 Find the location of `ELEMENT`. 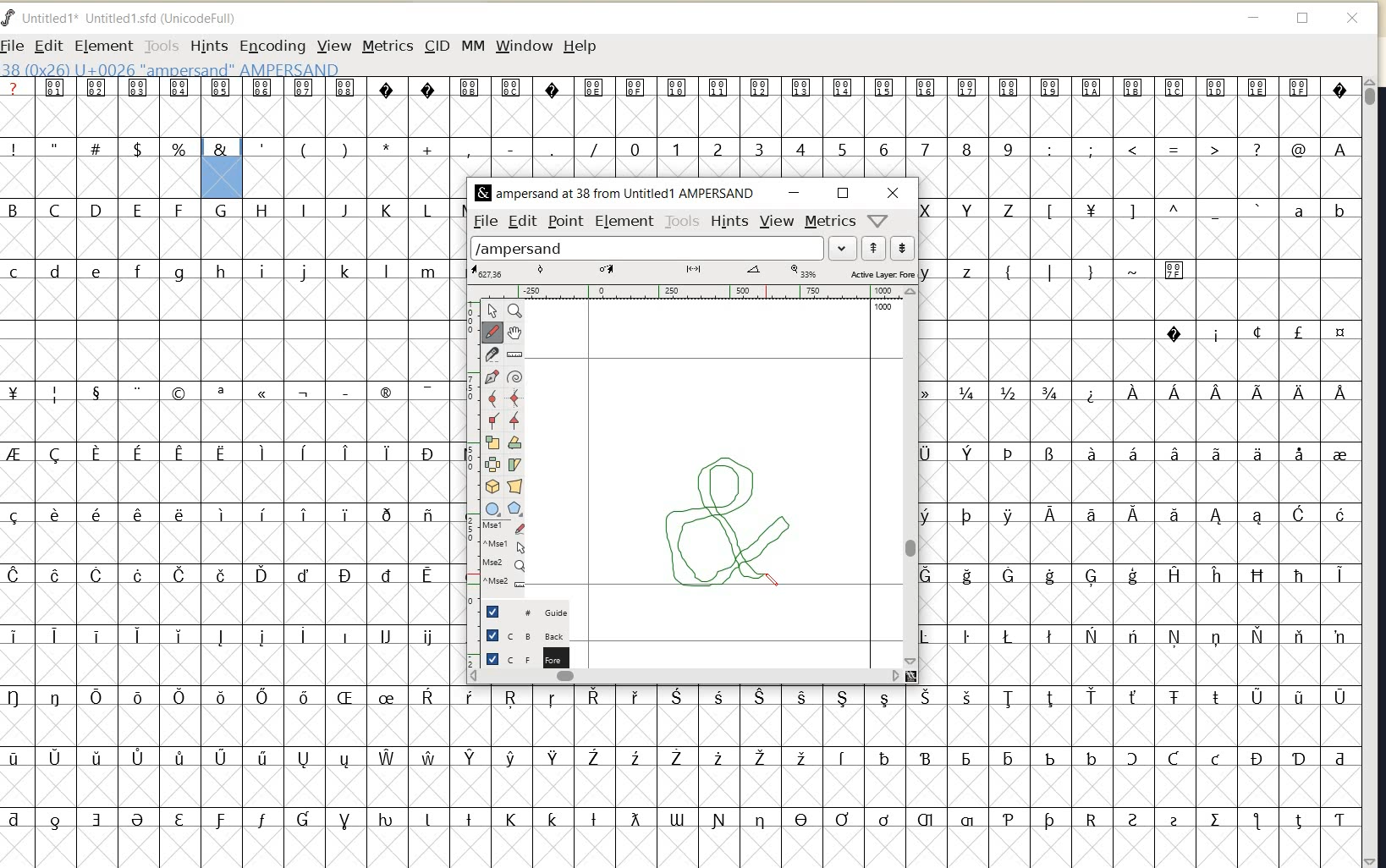

ELEMENT is located at coordinates (101, 46).